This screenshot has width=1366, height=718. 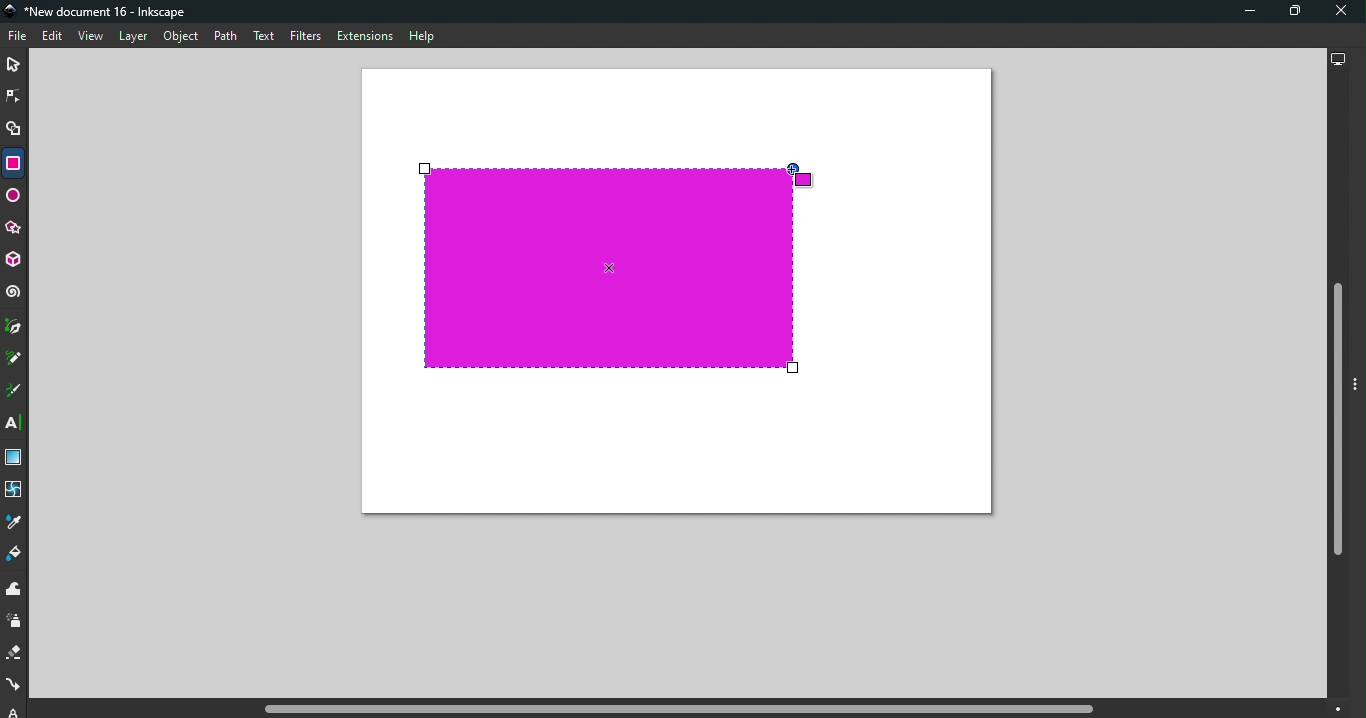 I want to click on Eraser tool, so click(x=16, y=653).